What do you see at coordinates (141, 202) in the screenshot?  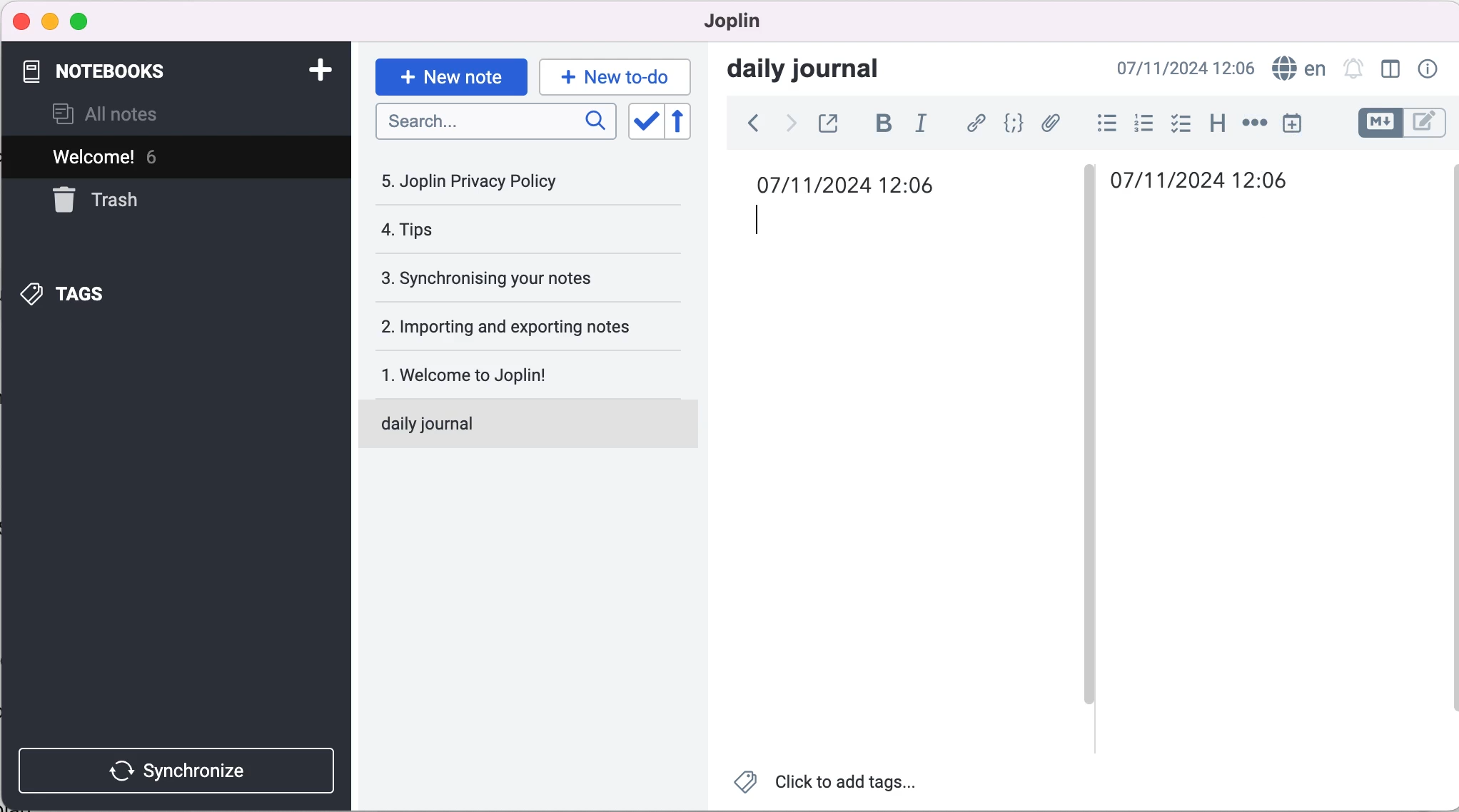 I see `trash` at bounding box center [141, 202].